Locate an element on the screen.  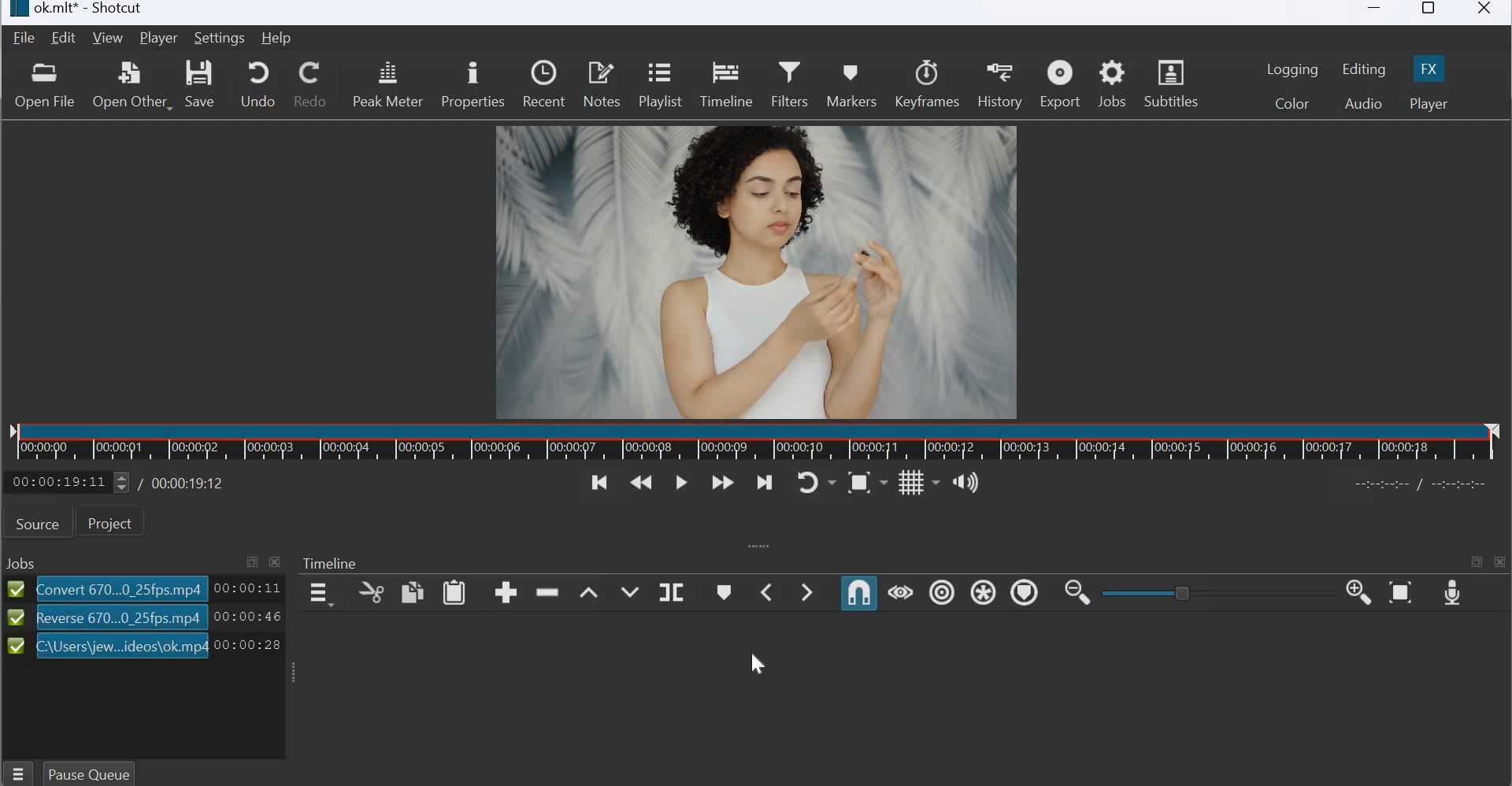
Zoom Timeline out is located at coordinates (1073, 591).